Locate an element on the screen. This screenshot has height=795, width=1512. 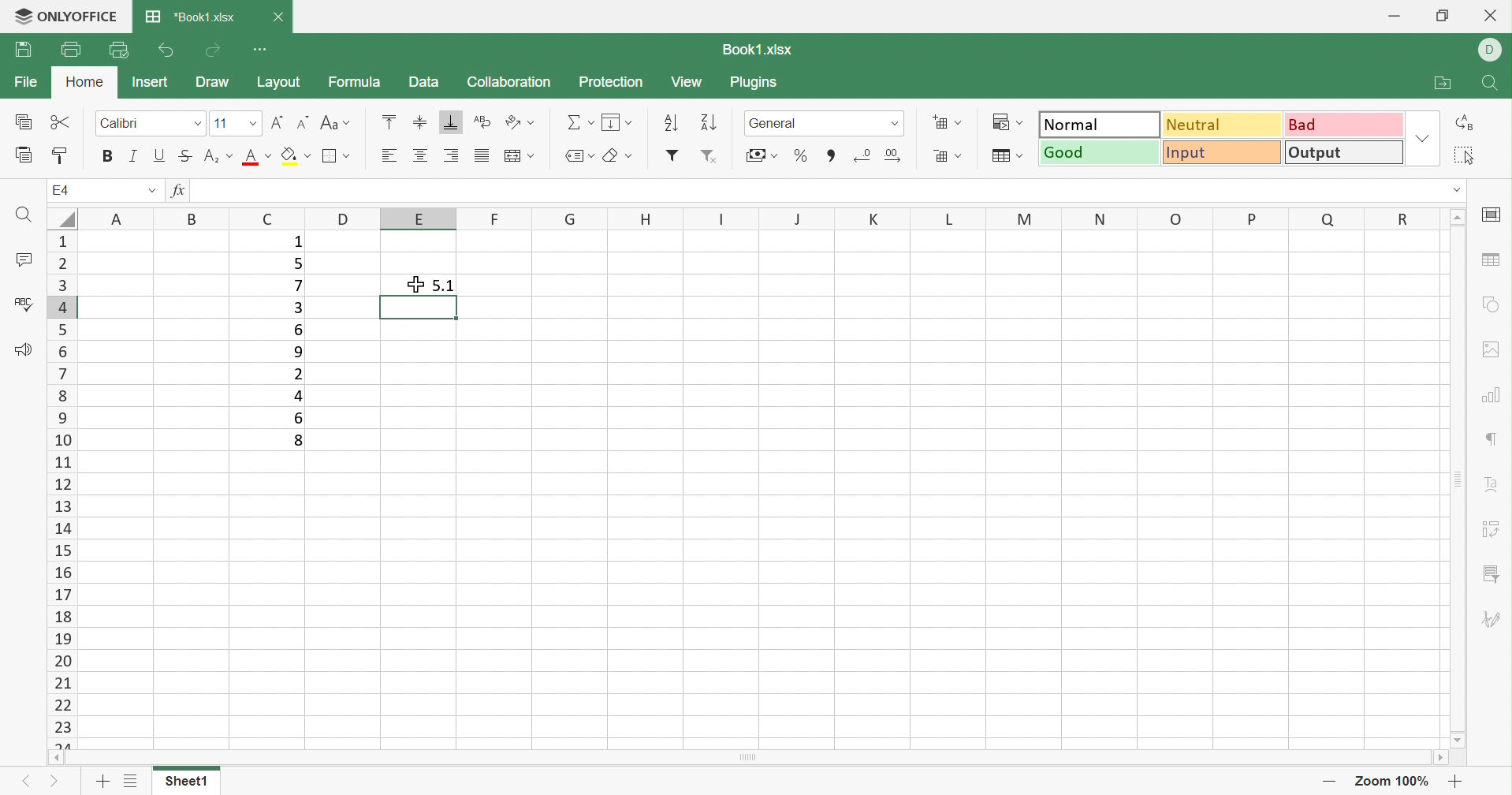
Formula is located at coordinates (360, 83).